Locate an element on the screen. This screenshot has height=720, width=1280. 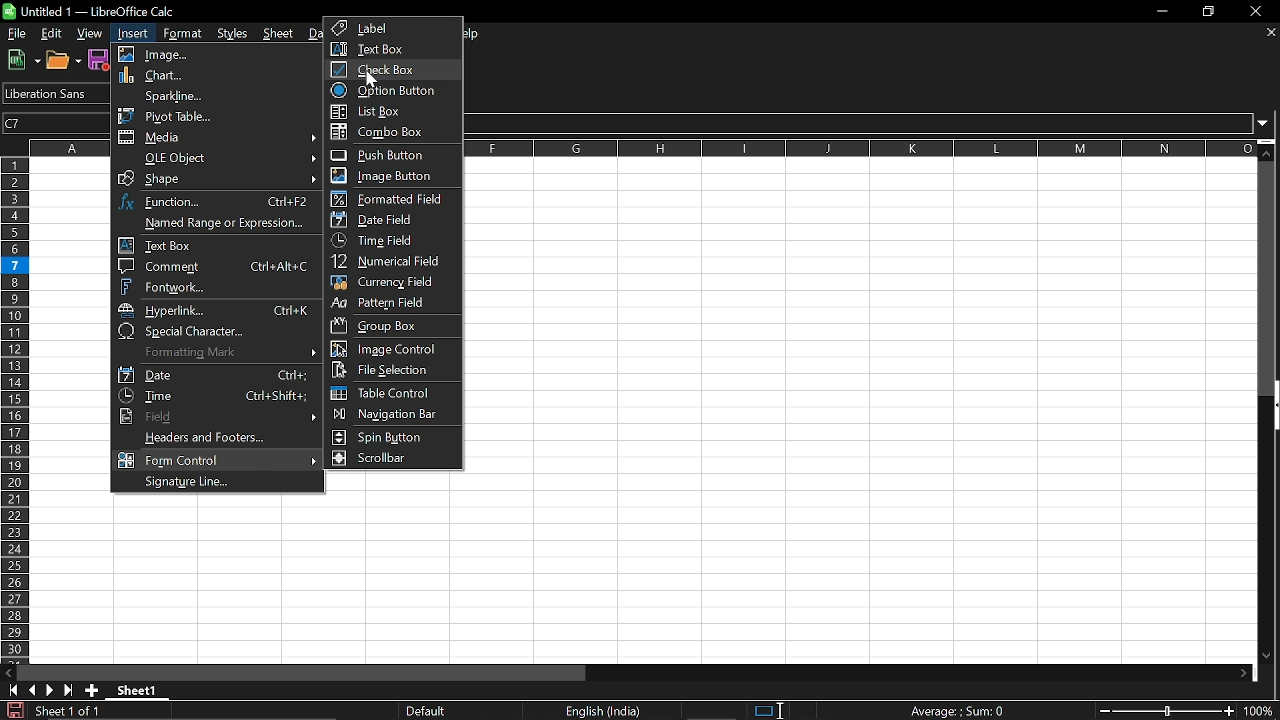
Time is located at coordinates (217, 396).